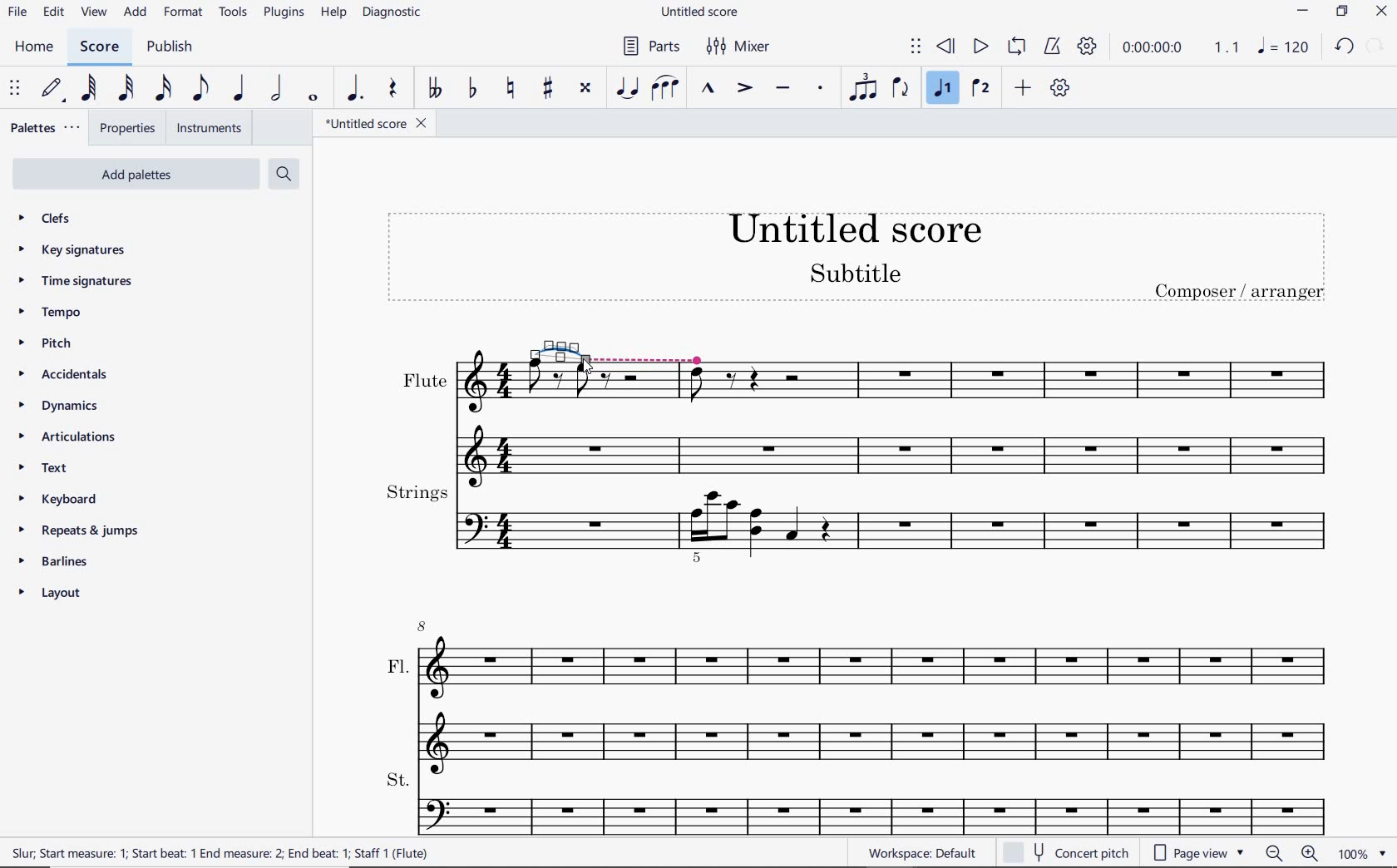 The height and width of the screenshot is (868, 1397). I want to click on PLAY TIME, so click(1182, 50).